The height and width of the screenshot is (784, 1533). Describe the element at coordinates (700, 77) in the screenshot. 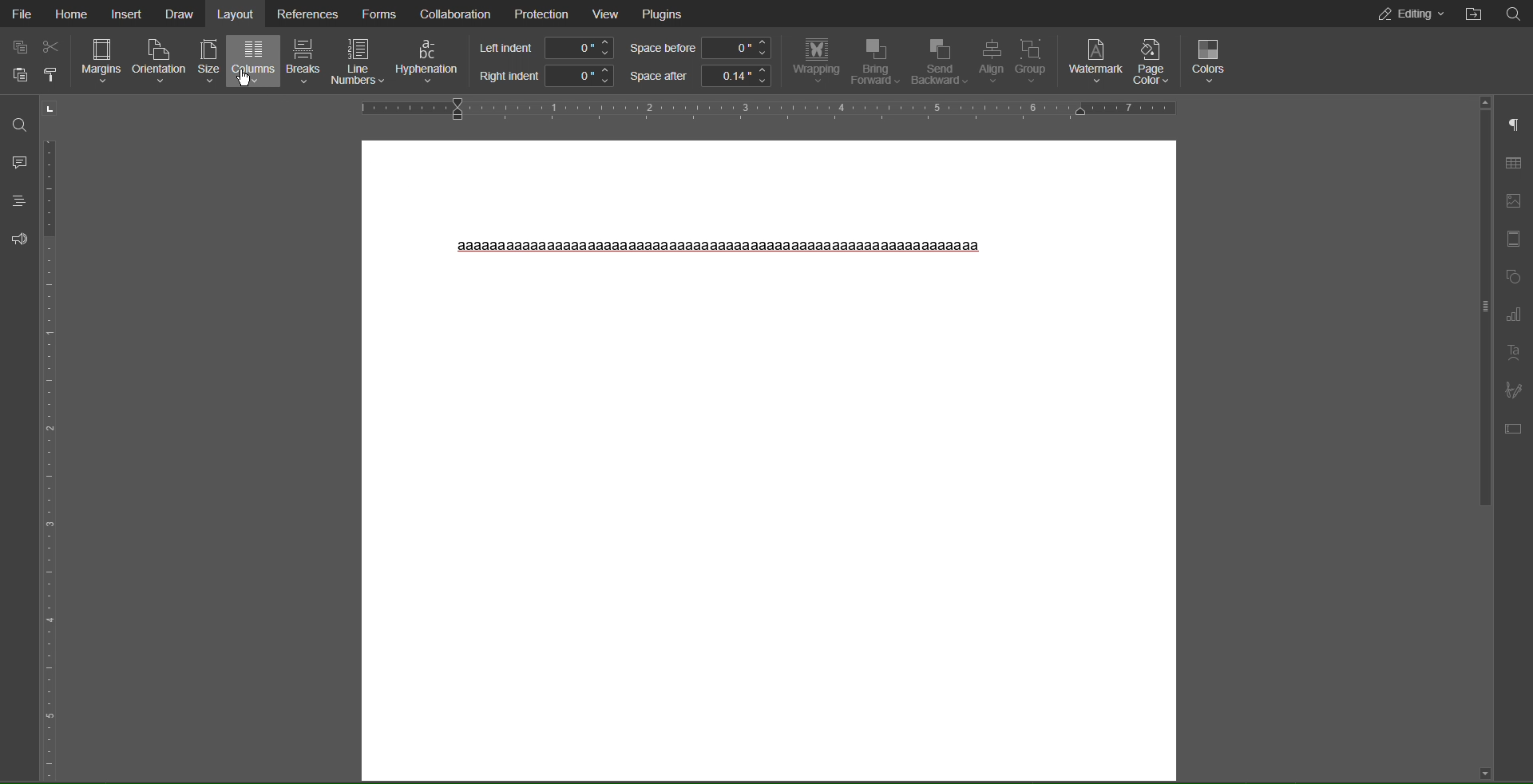

I see `Spaces After` at that location.